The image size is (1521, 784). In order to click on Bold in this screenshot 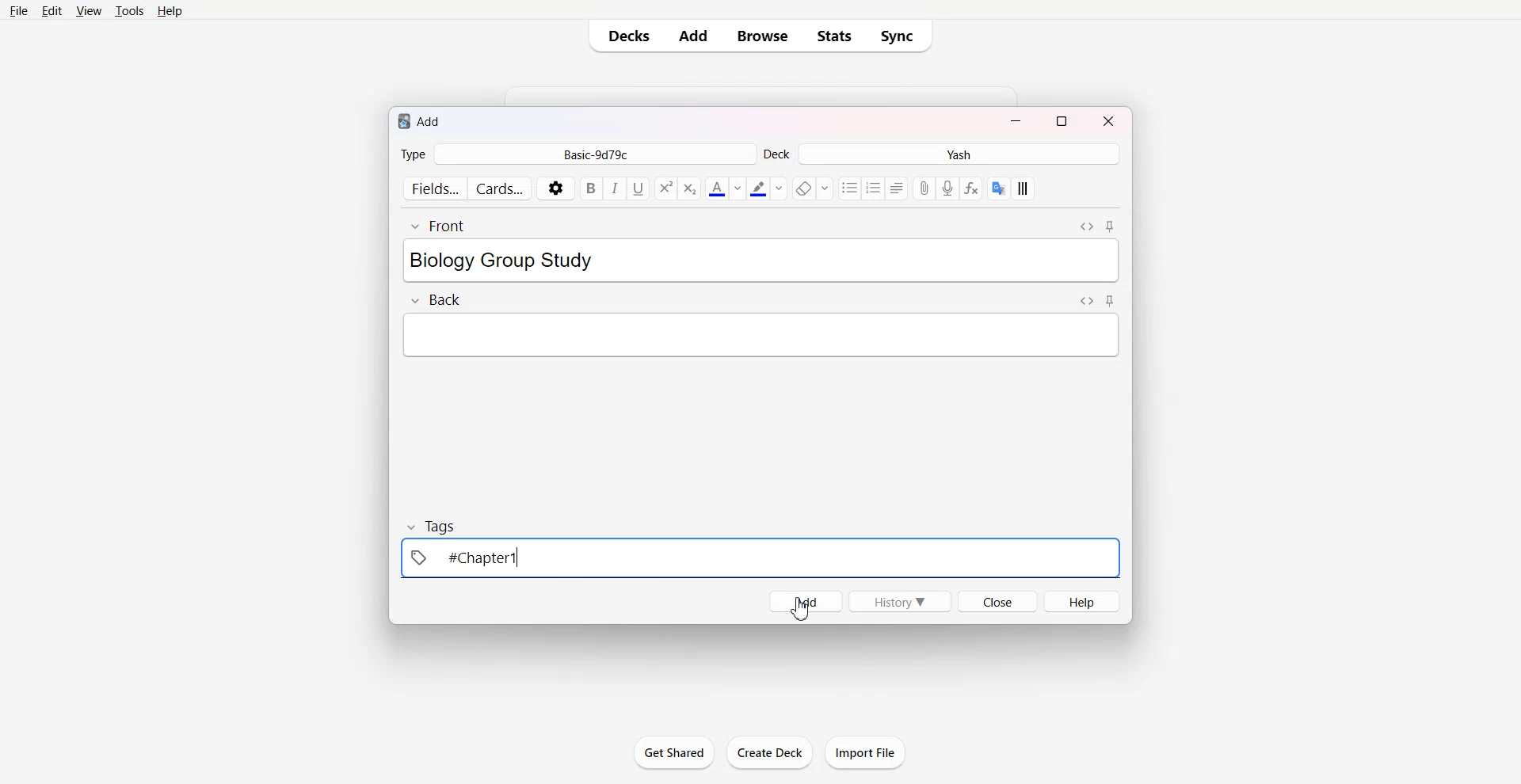, I will do `click(591, 188)`.